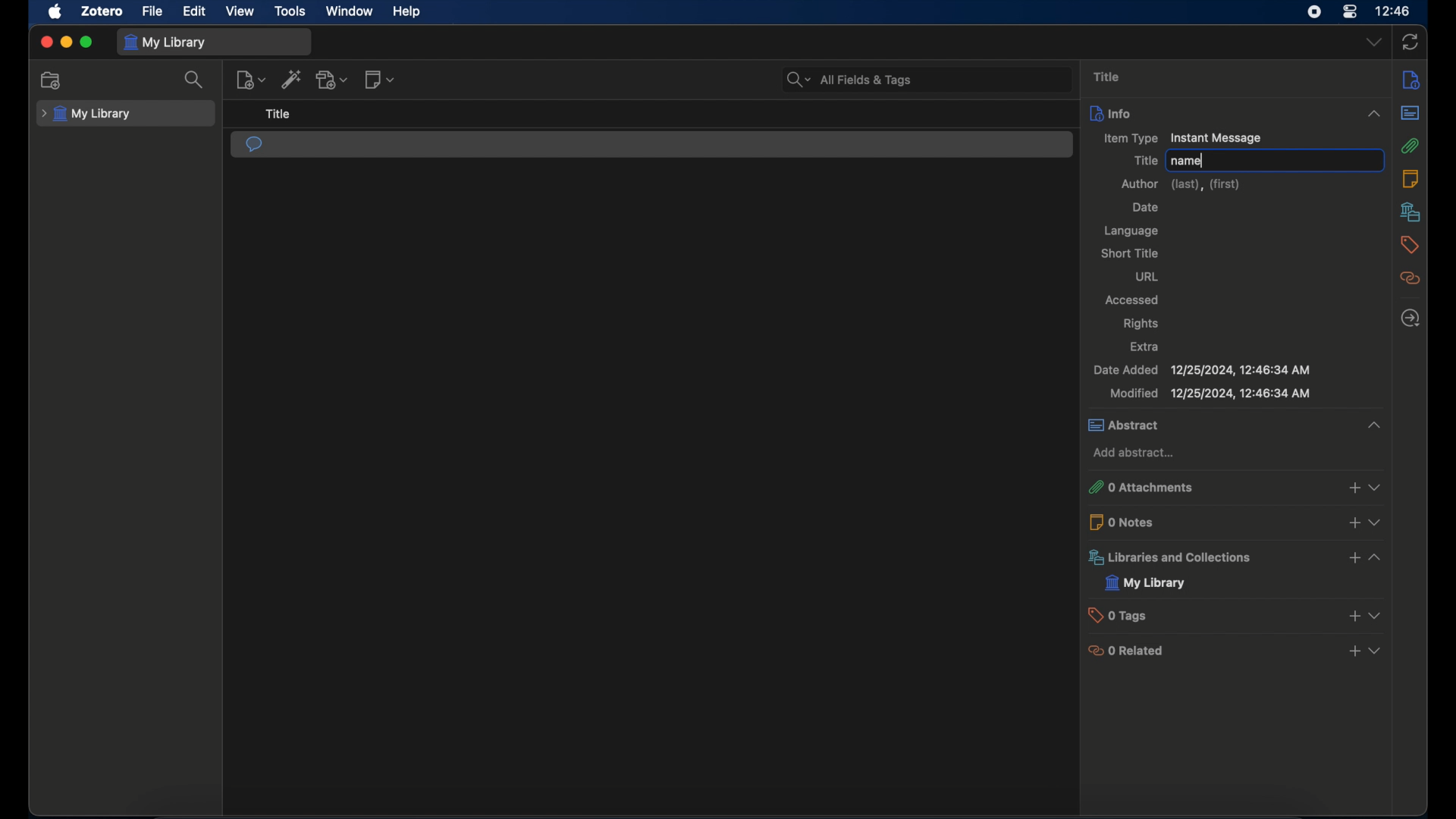 The width and height of the screenshot is (1456, 819). Describe the element at coordinates (1232, 614) in the screenshot. I see `0 tags` at that location.